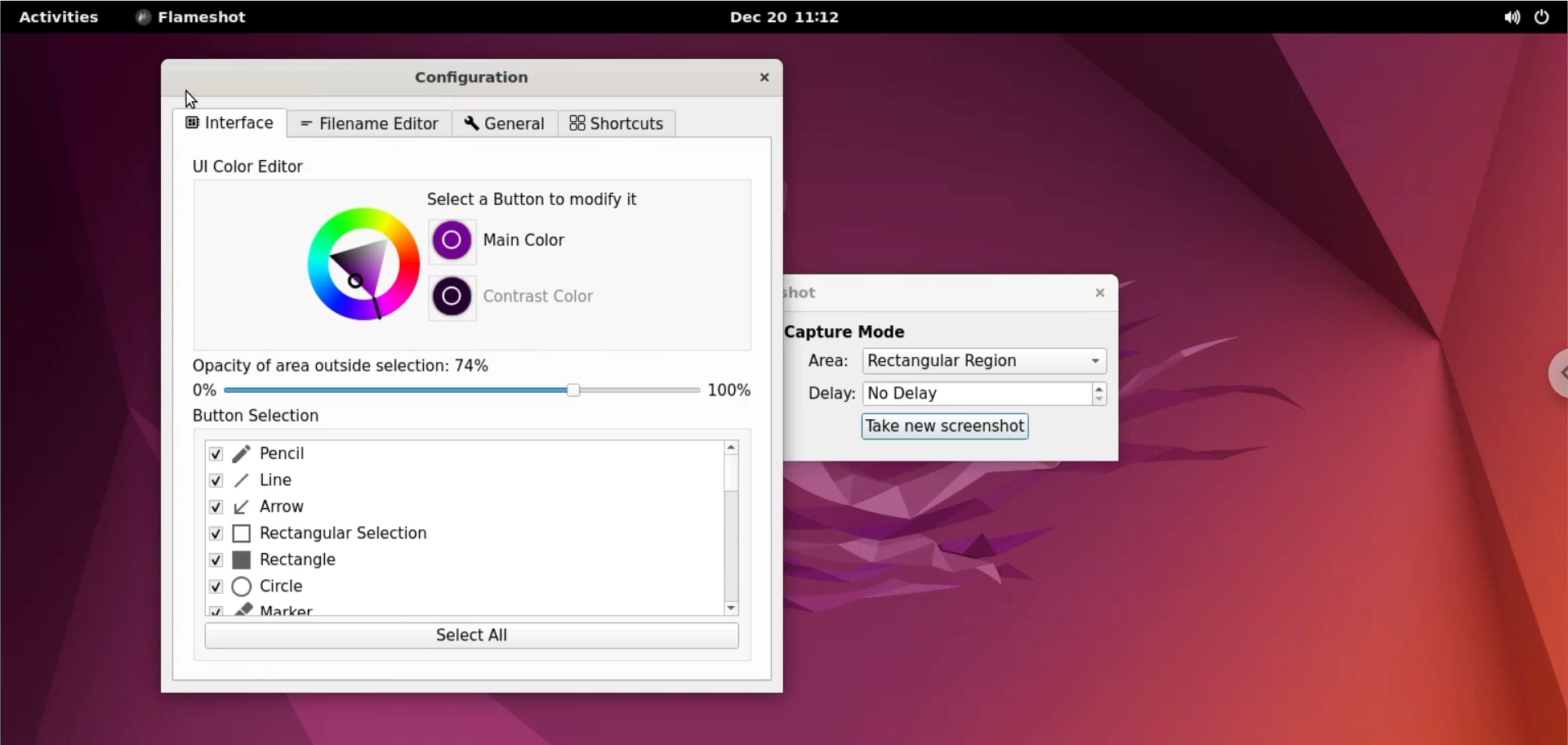 This screenshot has width=1568, height=745. I want to click on color chart, so click(352, 261).